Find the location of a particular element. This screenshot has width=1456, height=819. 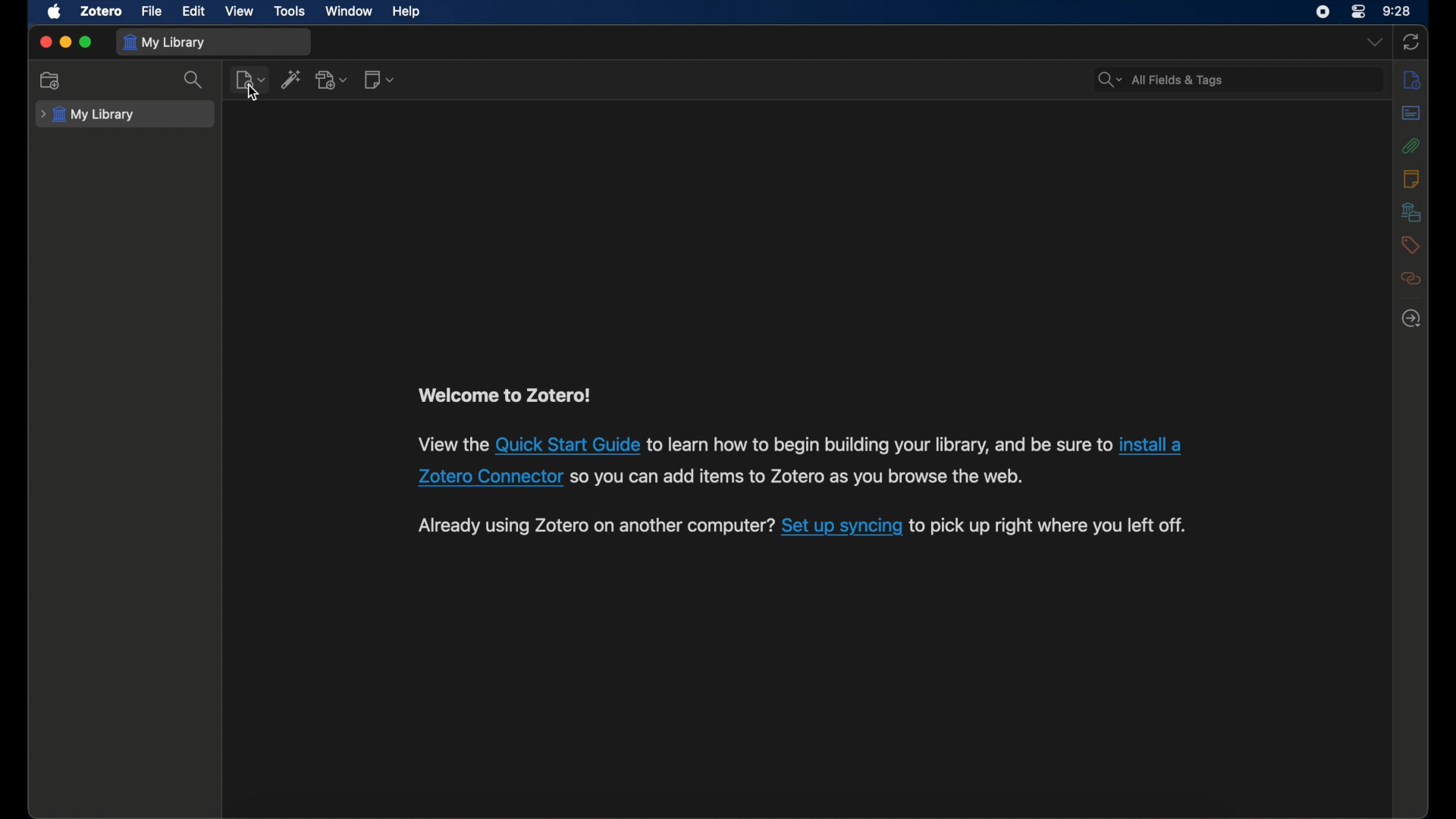

window is located at coordinates (350, 11).